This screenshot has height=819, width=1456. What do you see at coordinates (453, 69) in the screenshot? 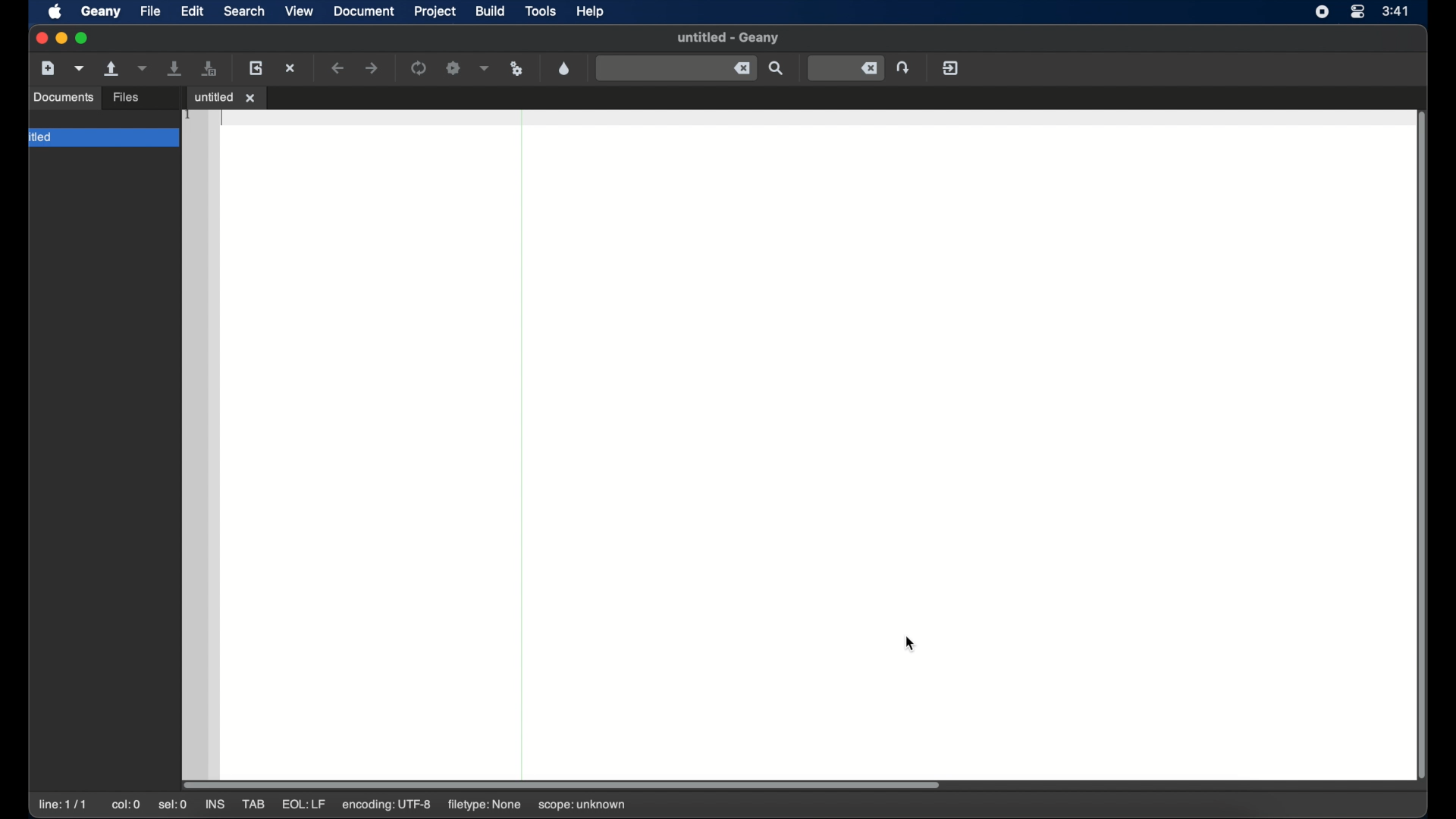
I see `build the current file` at bounding box center [453, 69].